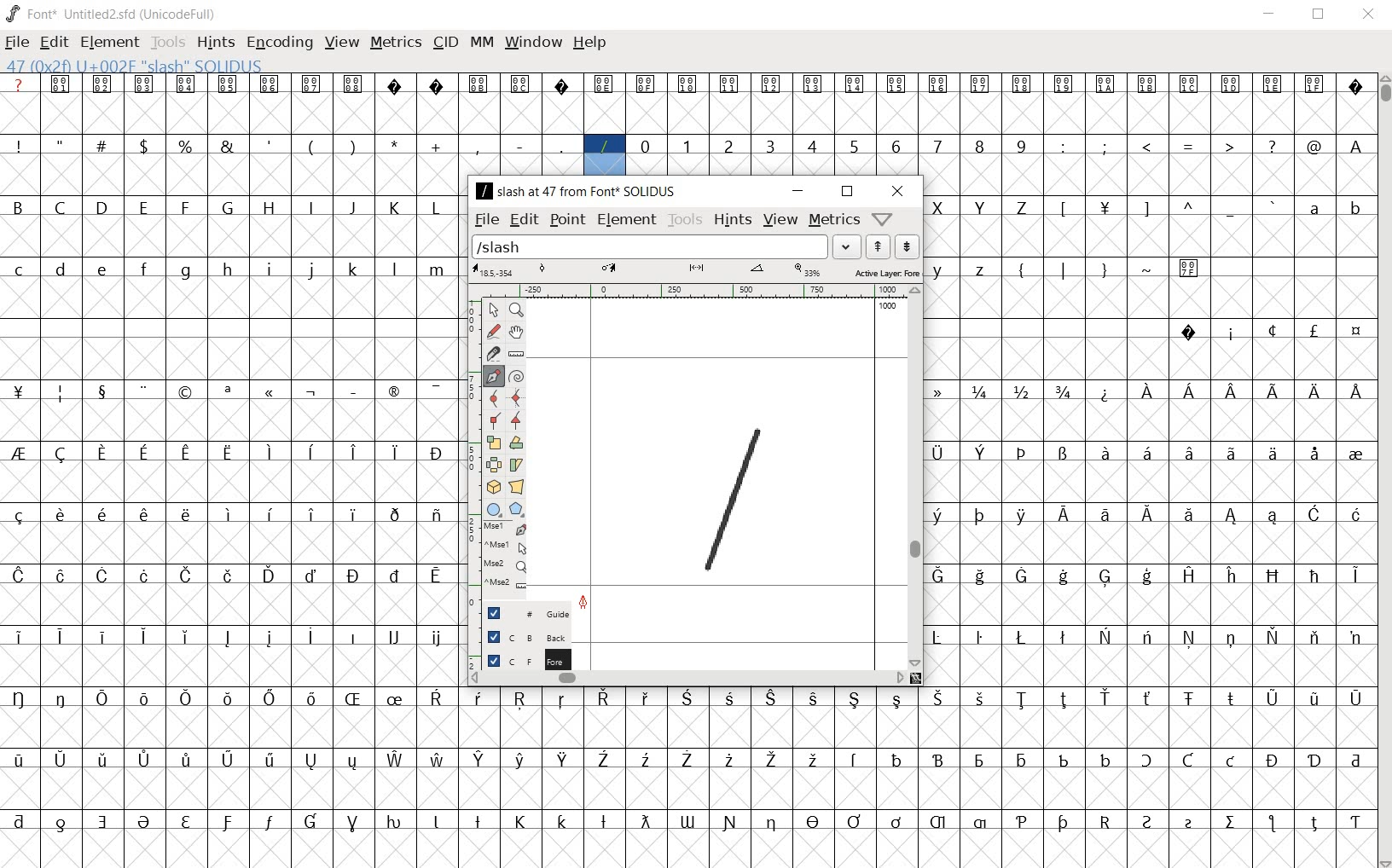 This screenshot has height=868, width=1392. What do you see at coordinates (233, 574) in the screenshot?
I see `special letters` at bounding box center [233, 574].